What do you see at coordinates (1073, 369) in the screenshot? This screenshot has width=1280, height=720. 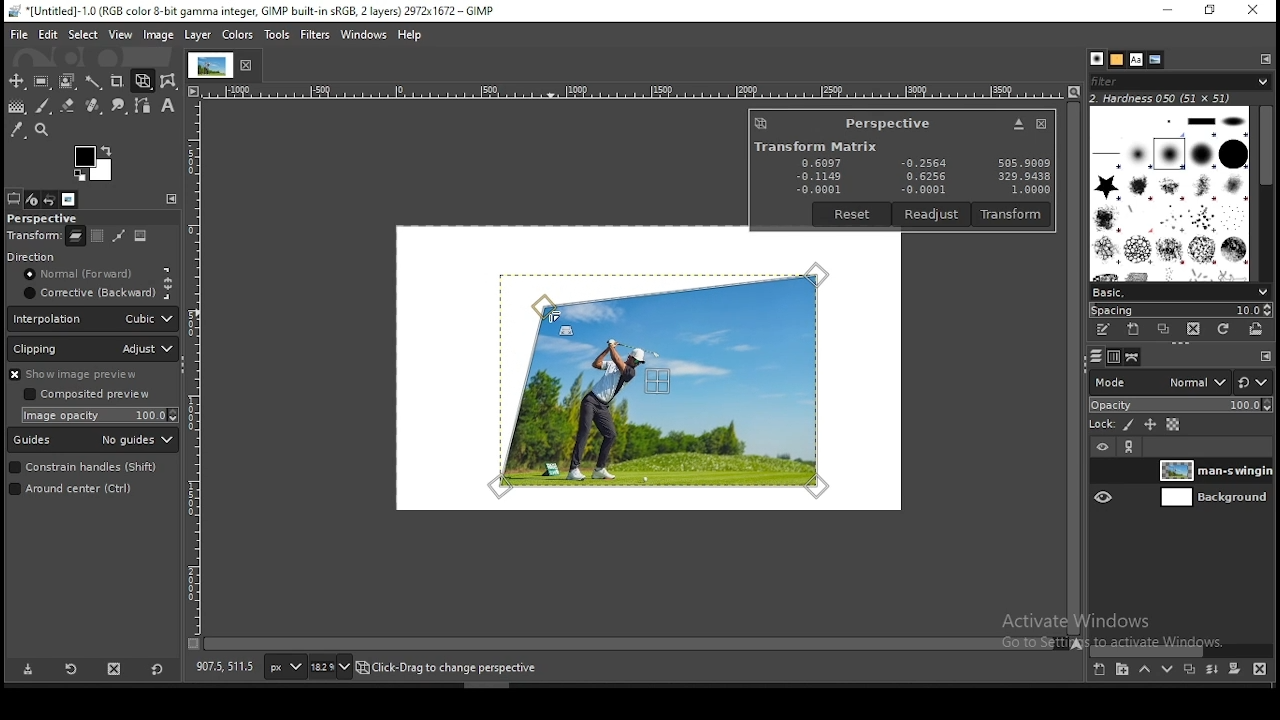 I see `scroll bar` at bounding box center [1073, 369].